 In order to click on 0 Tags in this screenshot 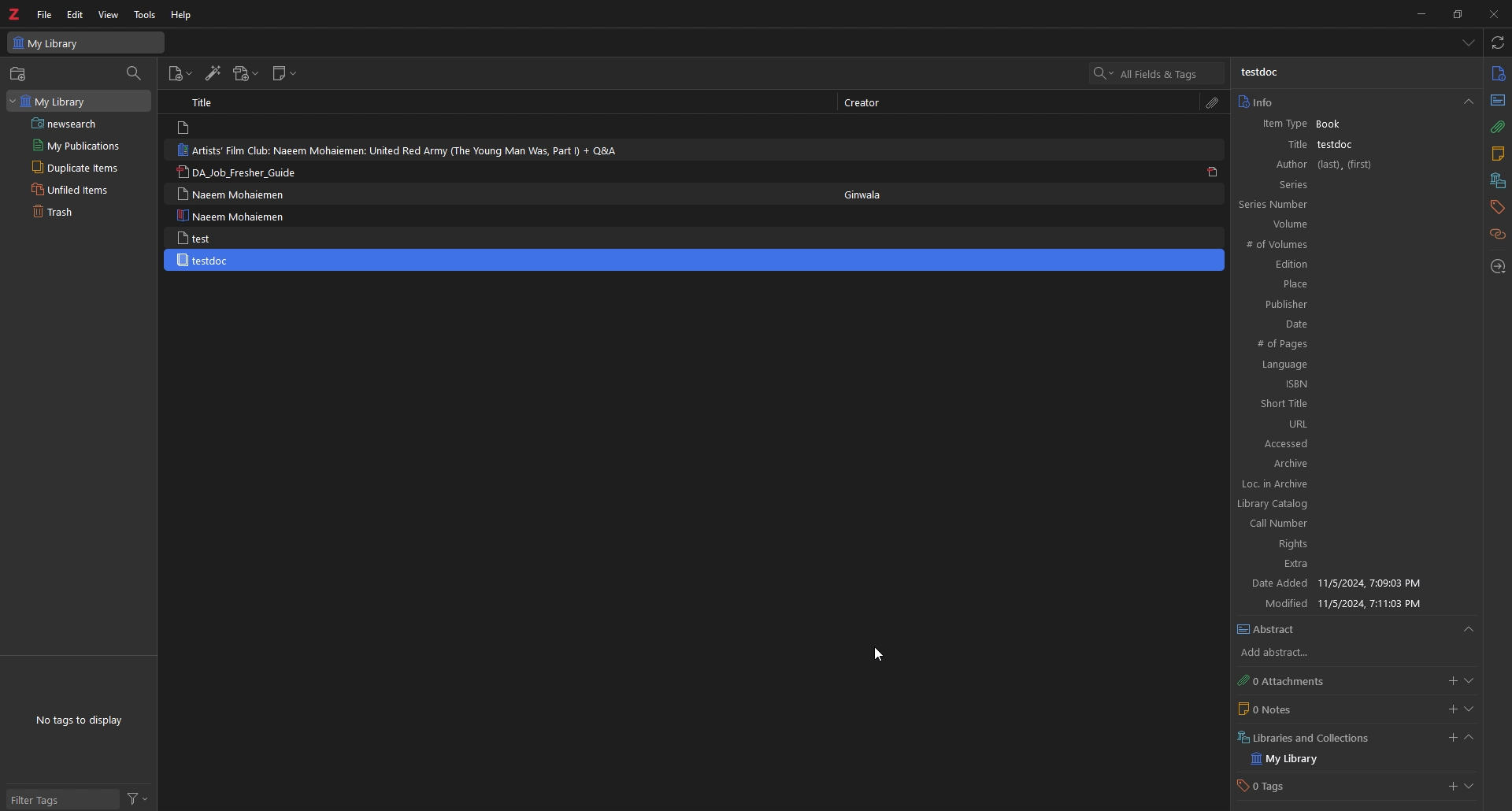, I will do `click(1278, 787)`.